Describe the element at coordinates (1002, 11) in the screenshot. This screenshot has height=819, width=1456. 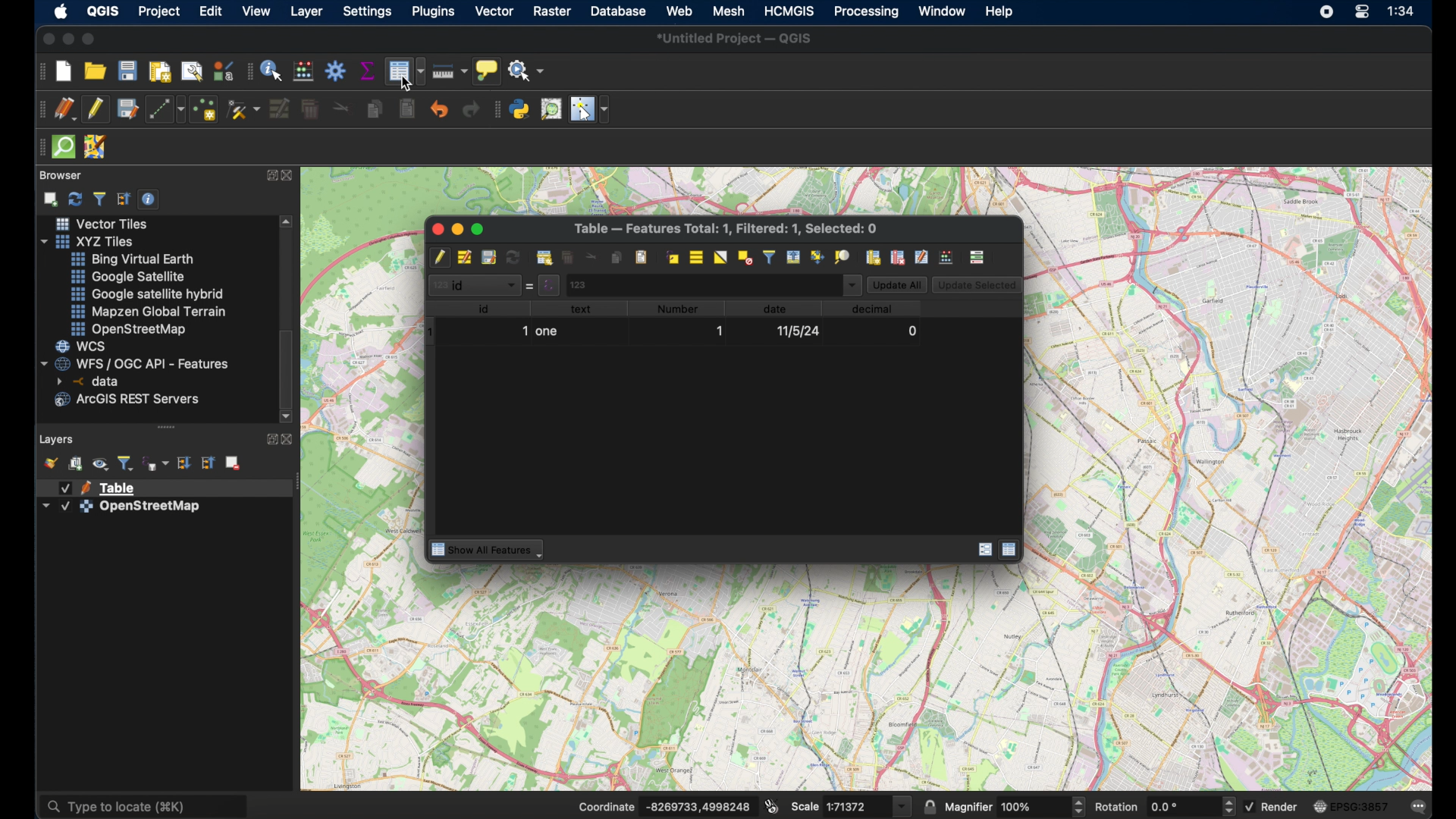
I see `help` at that location.